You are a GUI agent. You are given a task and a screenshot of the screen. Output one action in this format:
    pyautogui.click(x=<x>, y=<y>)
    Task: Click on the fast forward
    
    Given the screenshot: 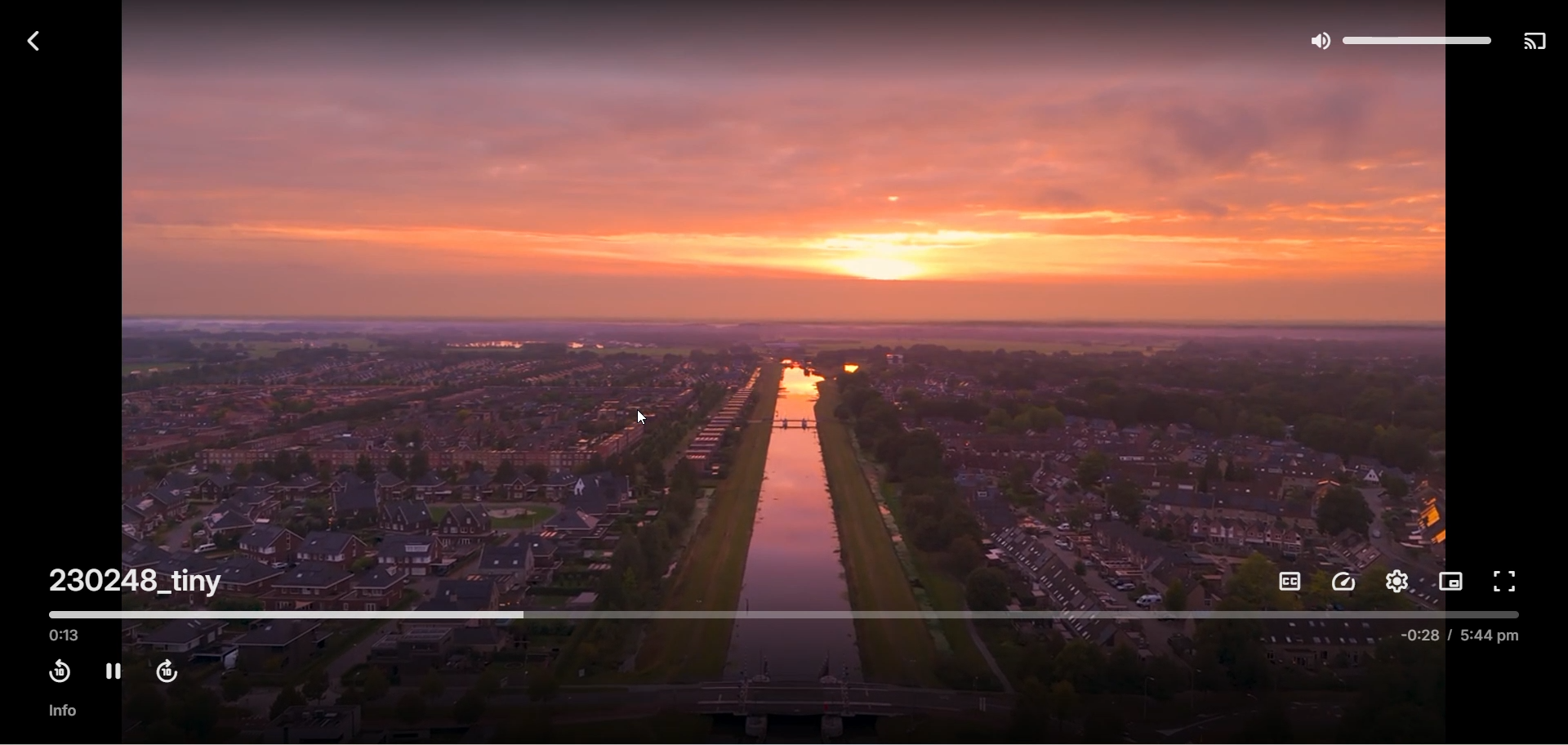 What is the action you would take?
    pyautogui.click(x=171, y=674)
    